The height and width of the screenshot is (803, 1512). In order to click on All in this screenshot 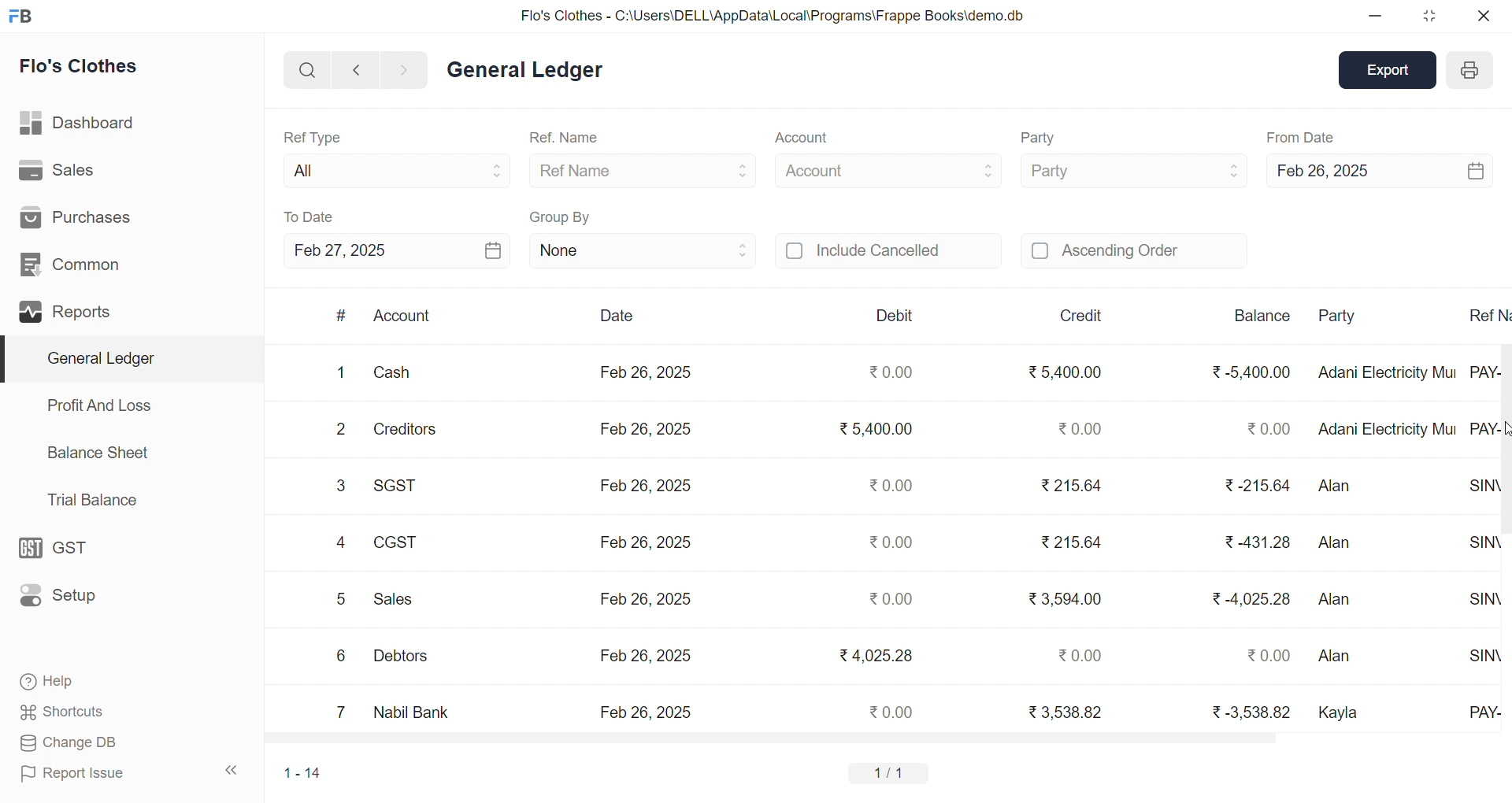, I will do `click(392, 168)`.